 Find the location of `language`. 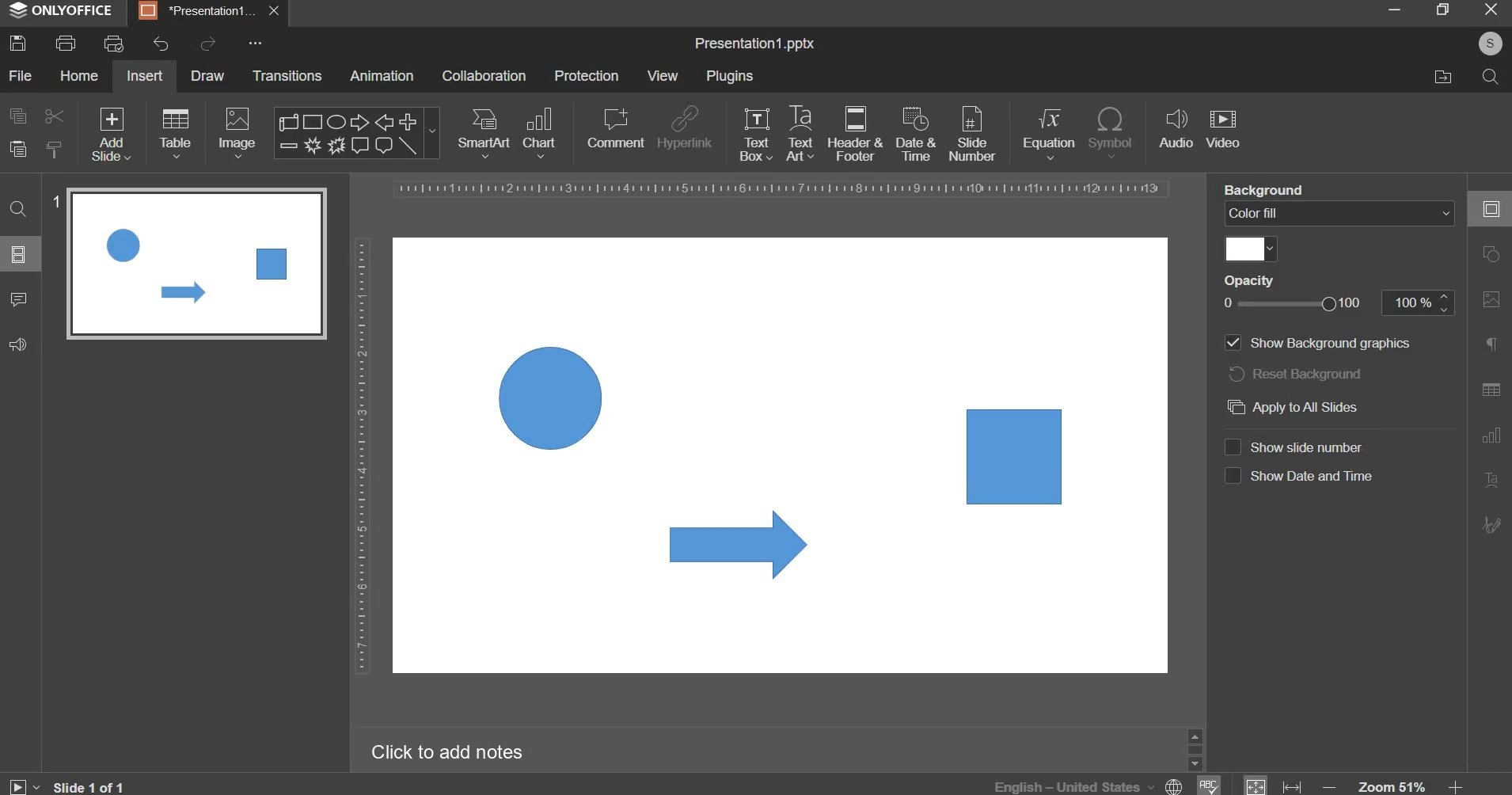

language is located at coordinates (1207, 784).